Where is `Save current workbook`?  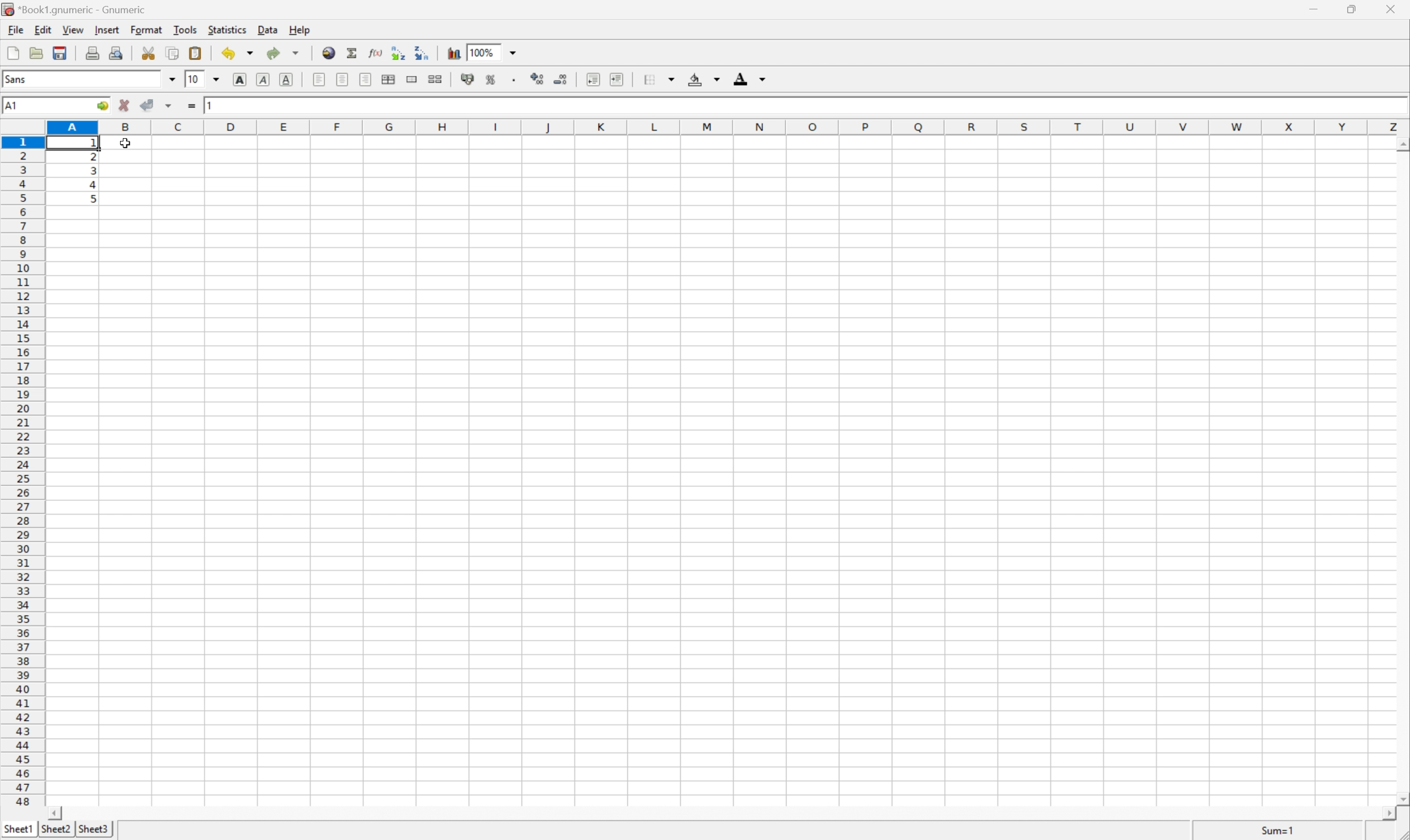 Save current workbook is located at coordinates (59, 52).